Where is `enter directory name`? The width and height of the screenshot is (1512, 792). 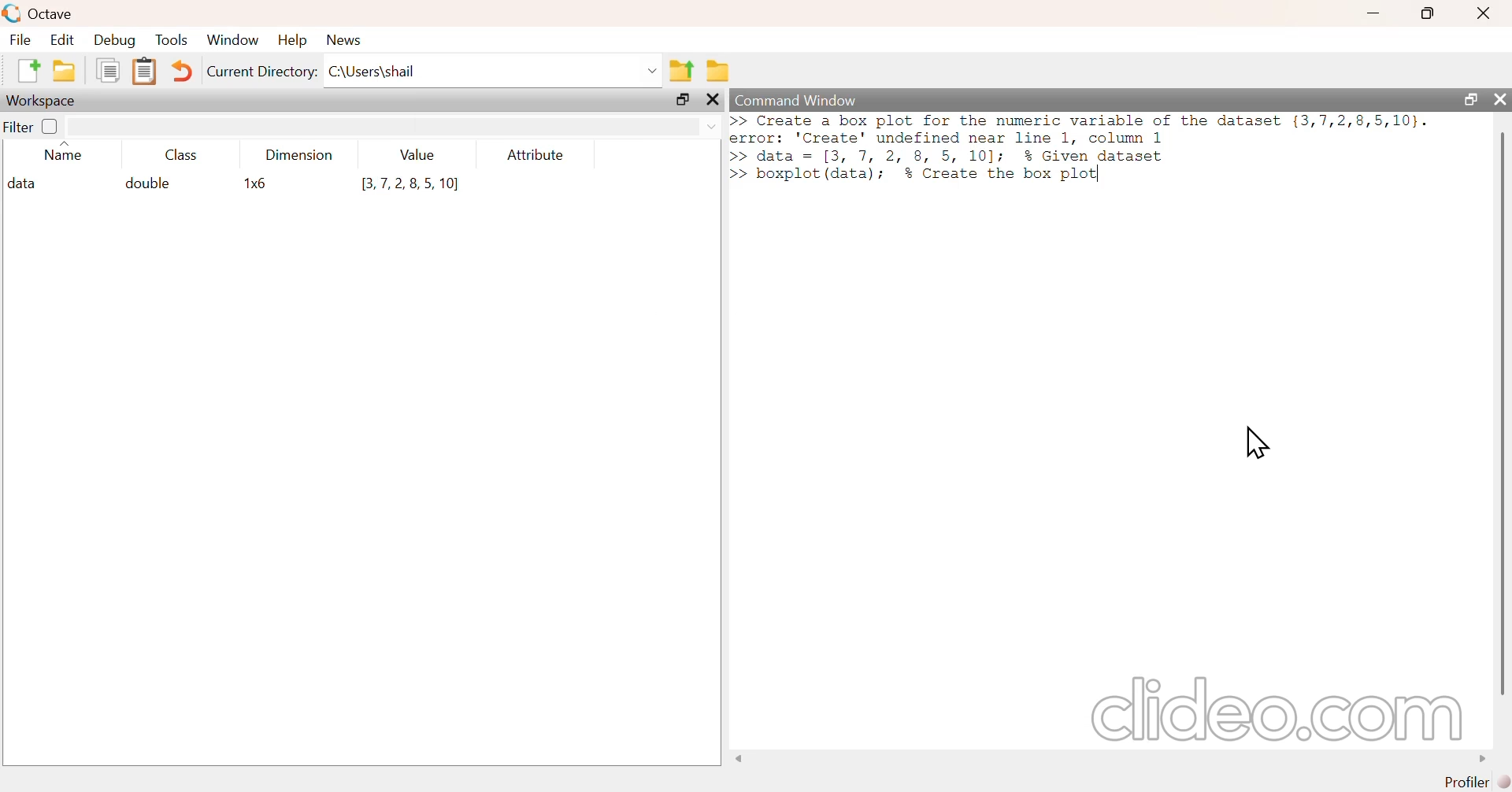
enter directory name is located at coordinates (491, 72).